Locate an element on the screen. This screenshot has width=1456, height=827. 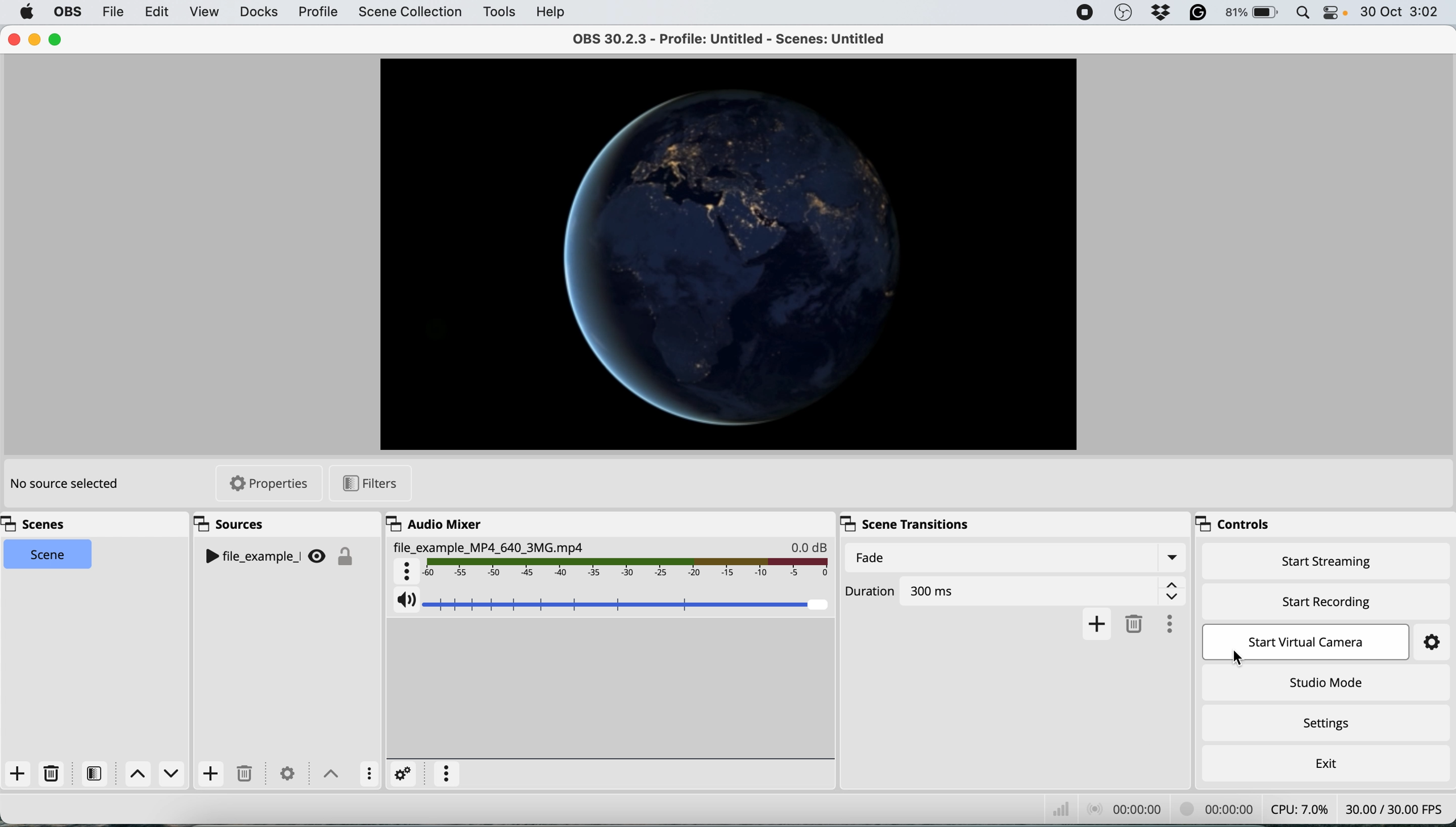
video recording timestamp is located at coordinates (1214, 808).